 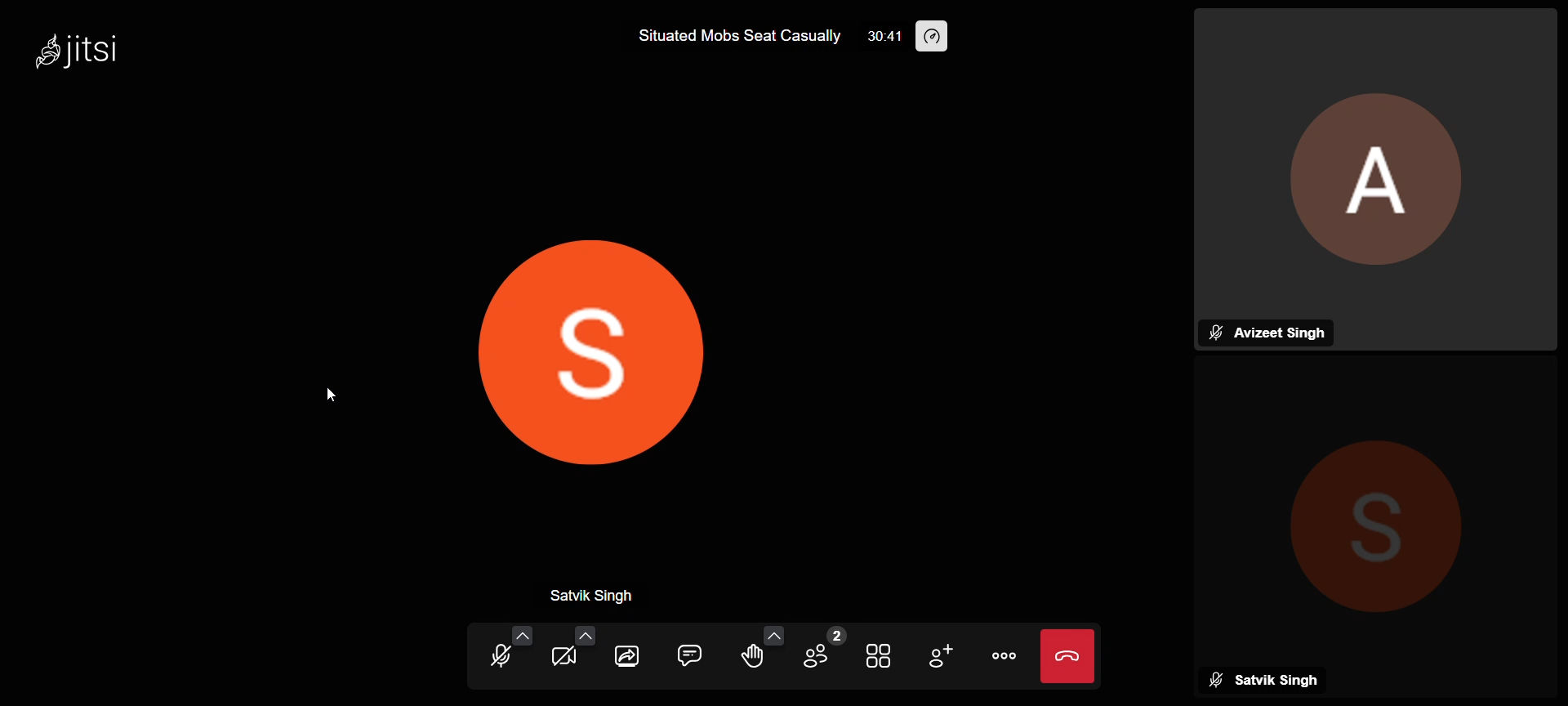 I want to click on Situated Mobs Seat Casually, so click(x=727, y=40).